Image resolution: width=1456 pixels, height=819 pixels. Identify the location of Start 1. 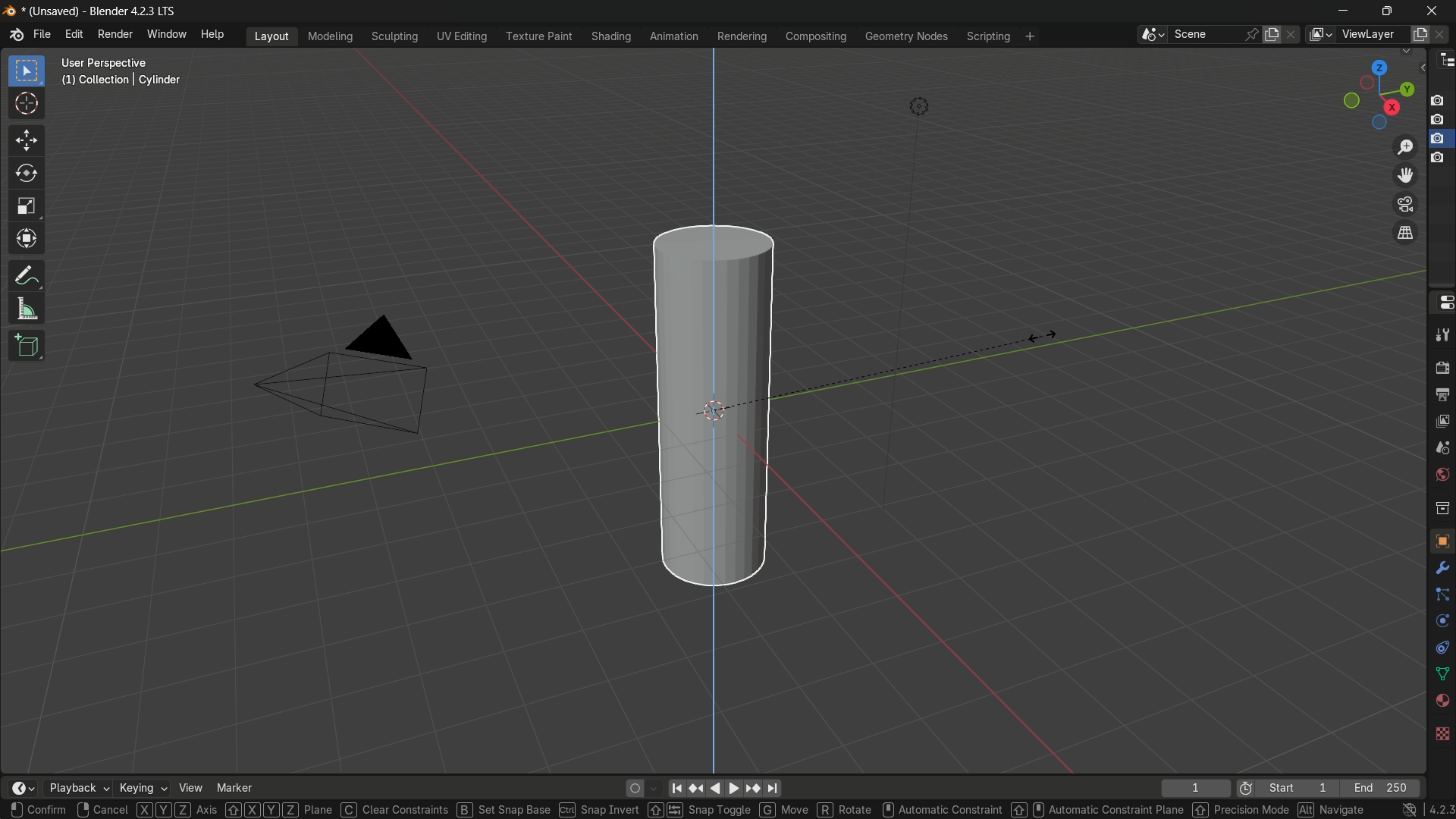
(1302, 789).